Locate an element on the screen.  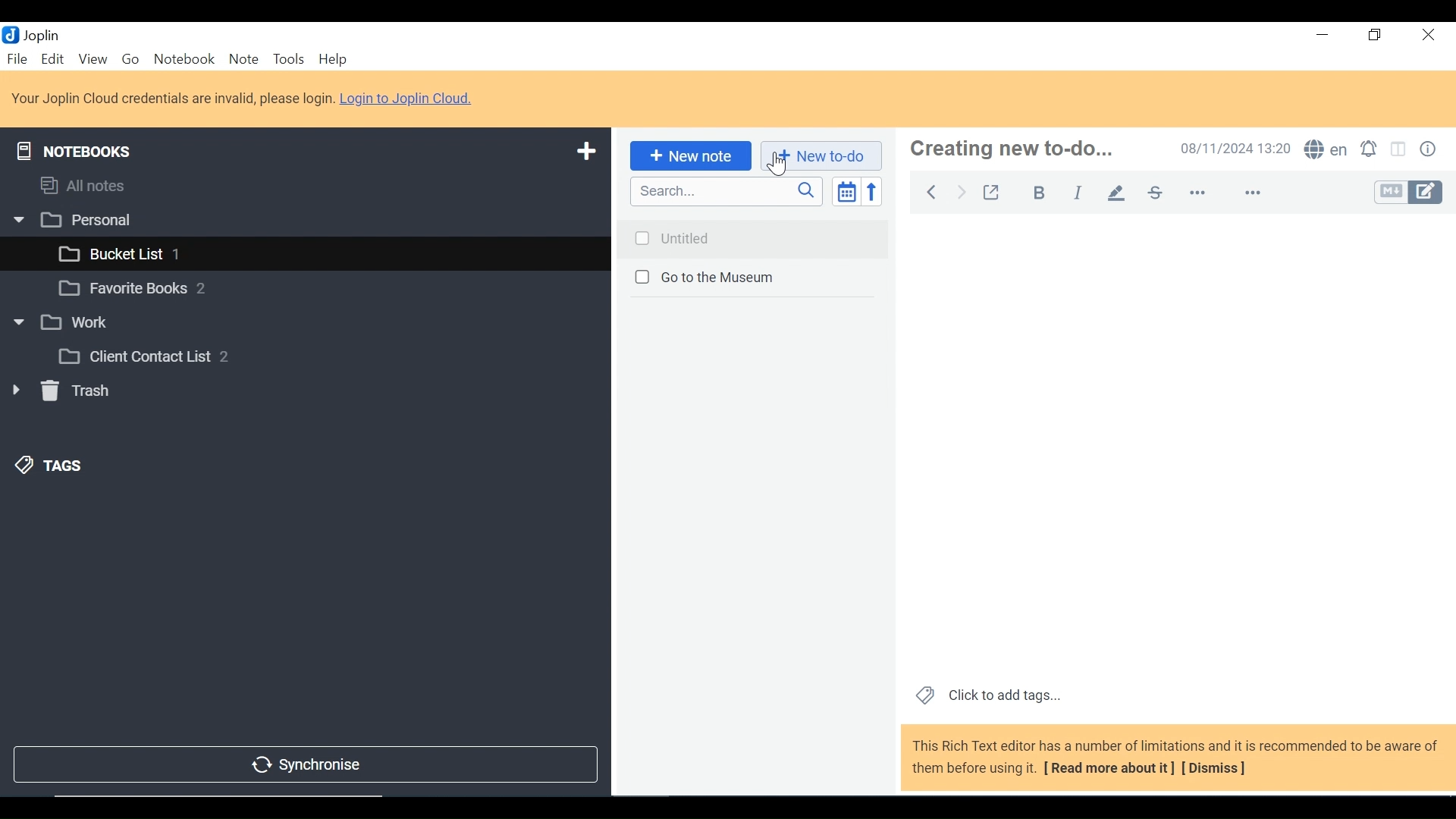
Tools is located at coordinates (290, 60).